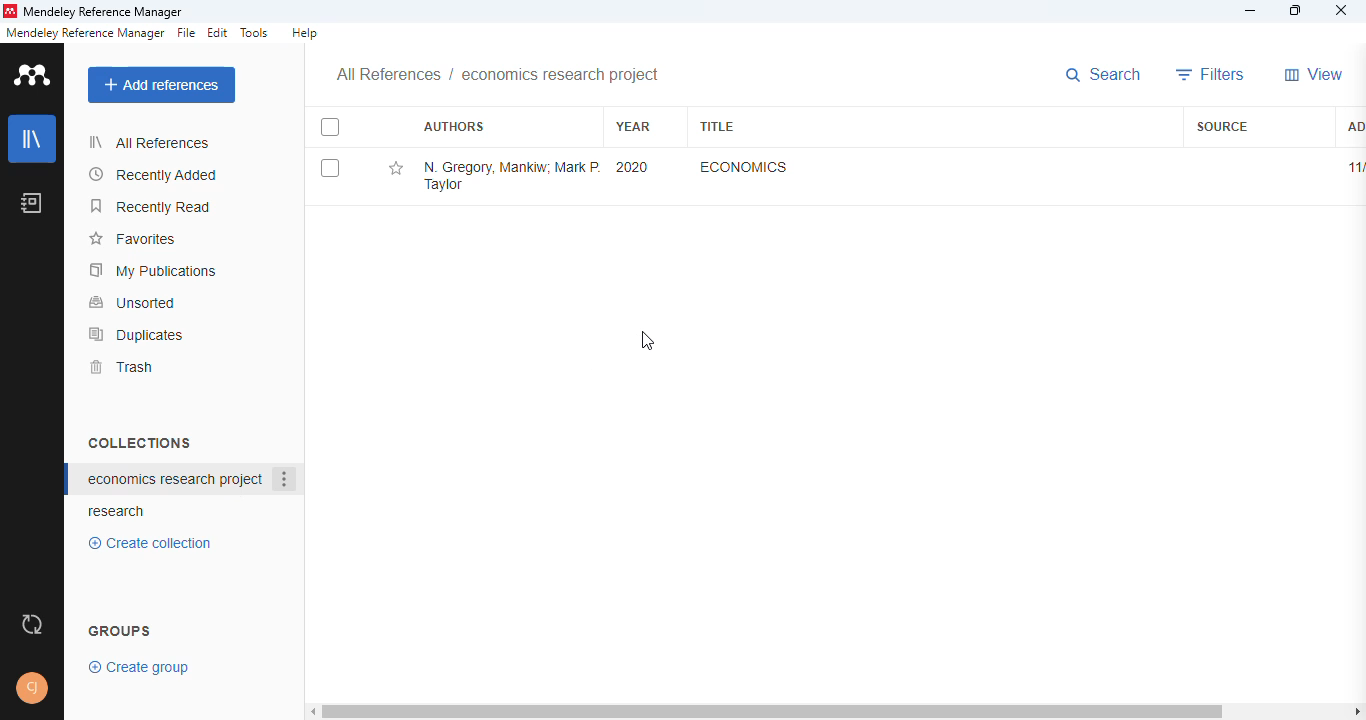 Image resolution: width=1366 pixels, height=720 pixels. Describe the element at coordinates (456, 127) in the screenshot. I see `authors` at that location.